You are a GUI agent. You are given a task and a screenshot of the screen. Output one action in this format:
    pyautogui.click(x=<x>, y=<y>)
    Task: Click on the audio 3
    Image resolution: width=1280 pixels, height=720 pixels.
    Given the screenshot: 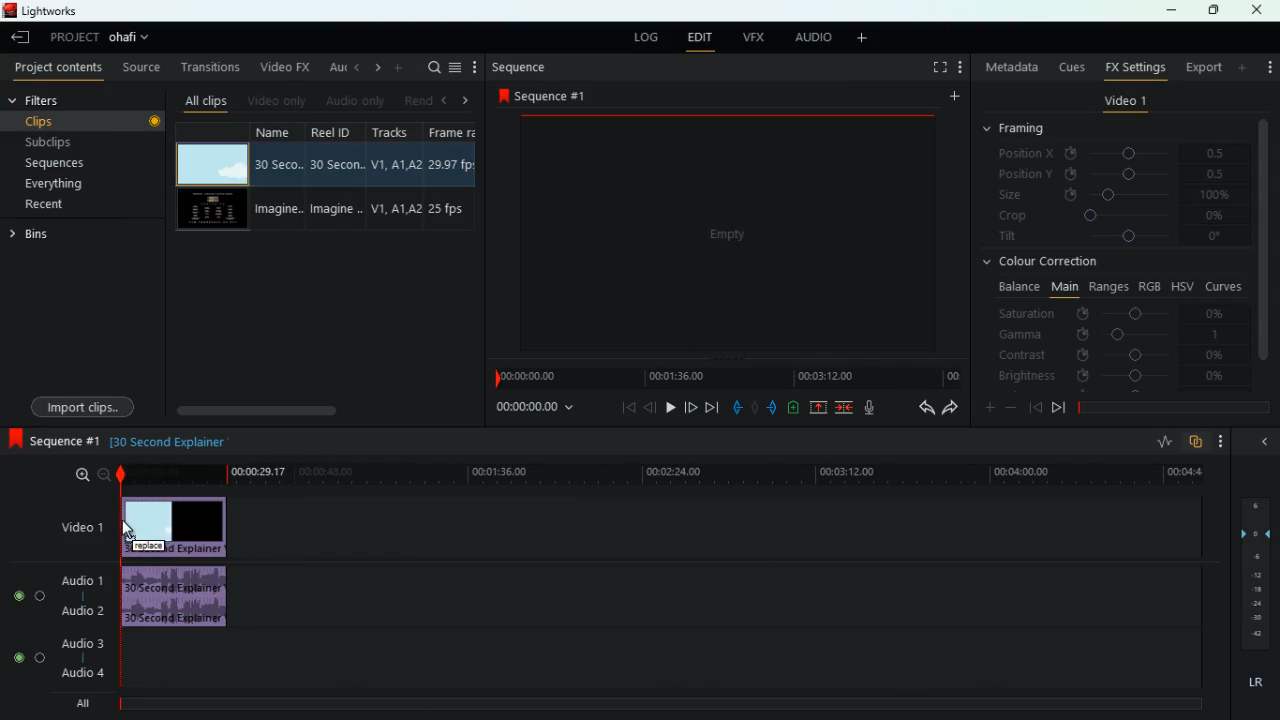 What is the action you would take?
    pyautogui.click(x=79, y=645)
    